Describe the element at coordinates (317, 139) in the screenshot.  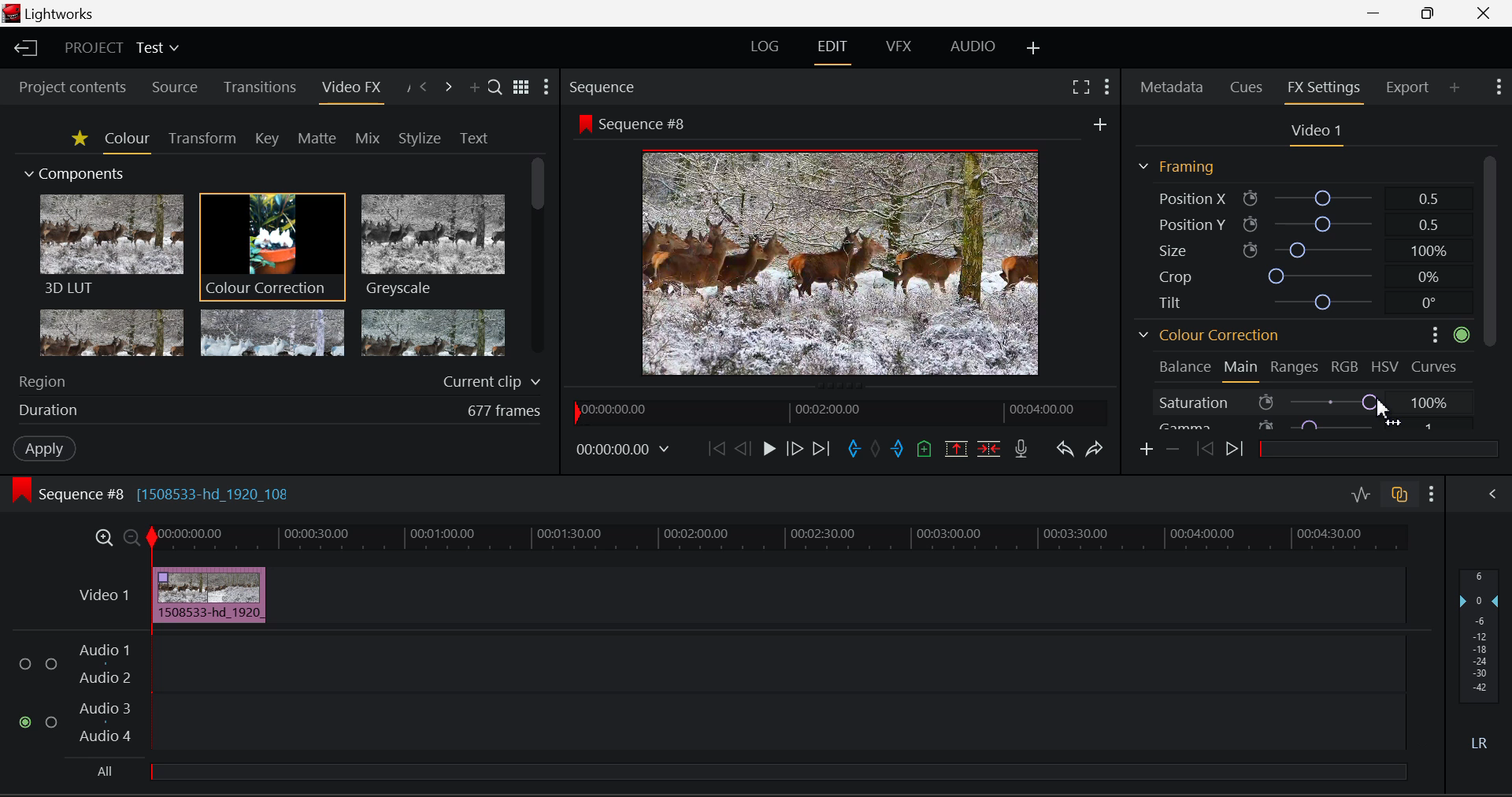
I see `Matte` at that location.